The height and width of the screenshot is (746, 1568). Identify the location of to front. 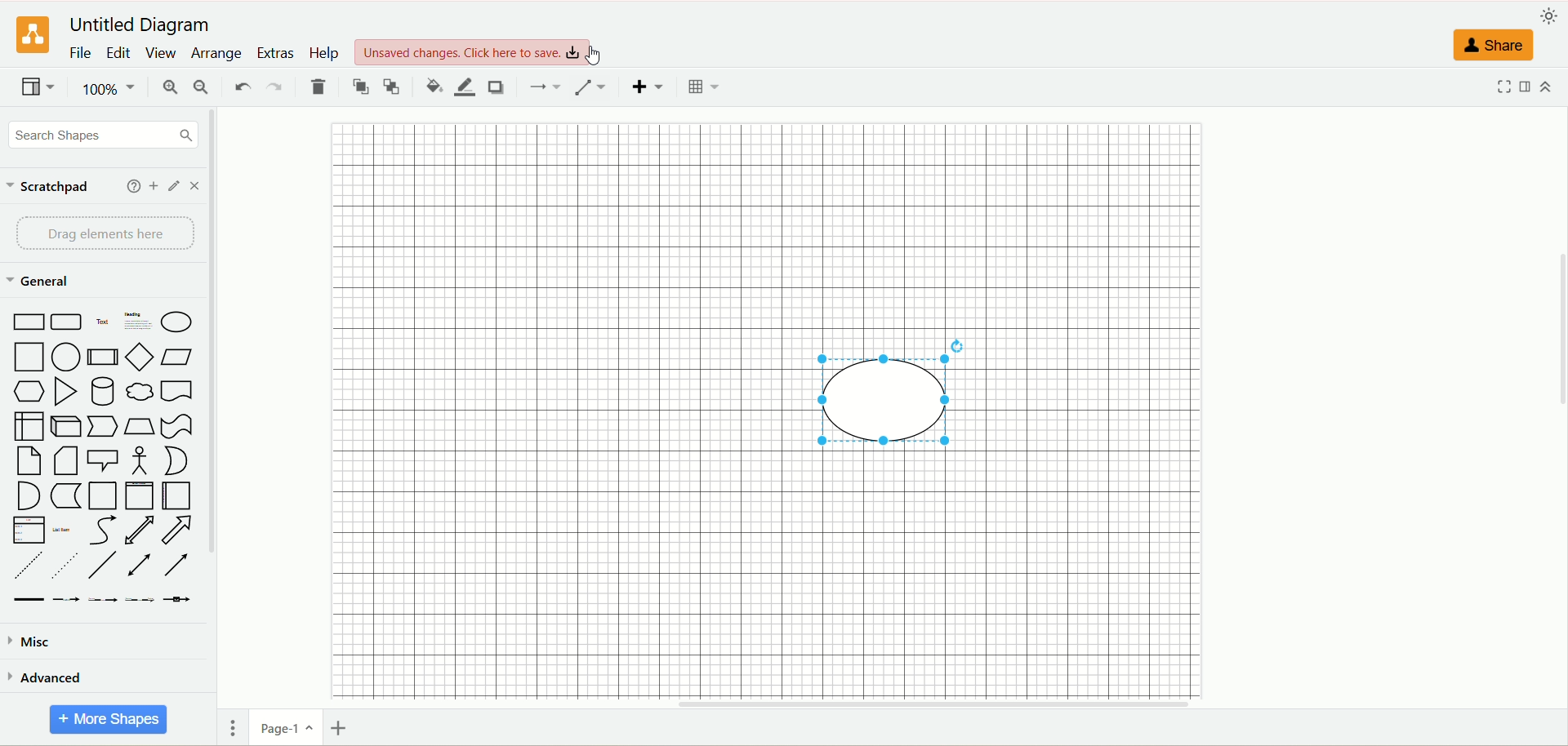
(361, 87).